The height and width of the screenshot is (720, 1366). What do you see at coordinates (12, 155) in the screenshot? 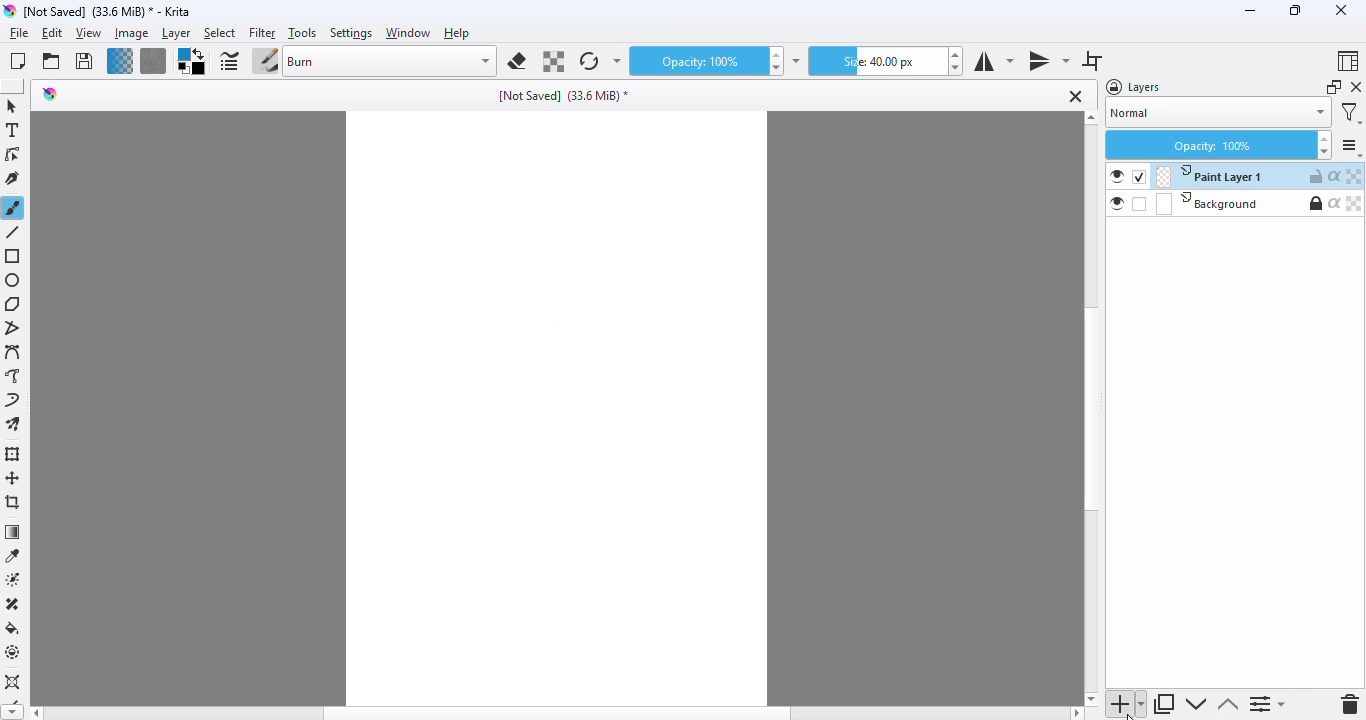
I see `edit shapes tool` at bounding box center [12, 155].